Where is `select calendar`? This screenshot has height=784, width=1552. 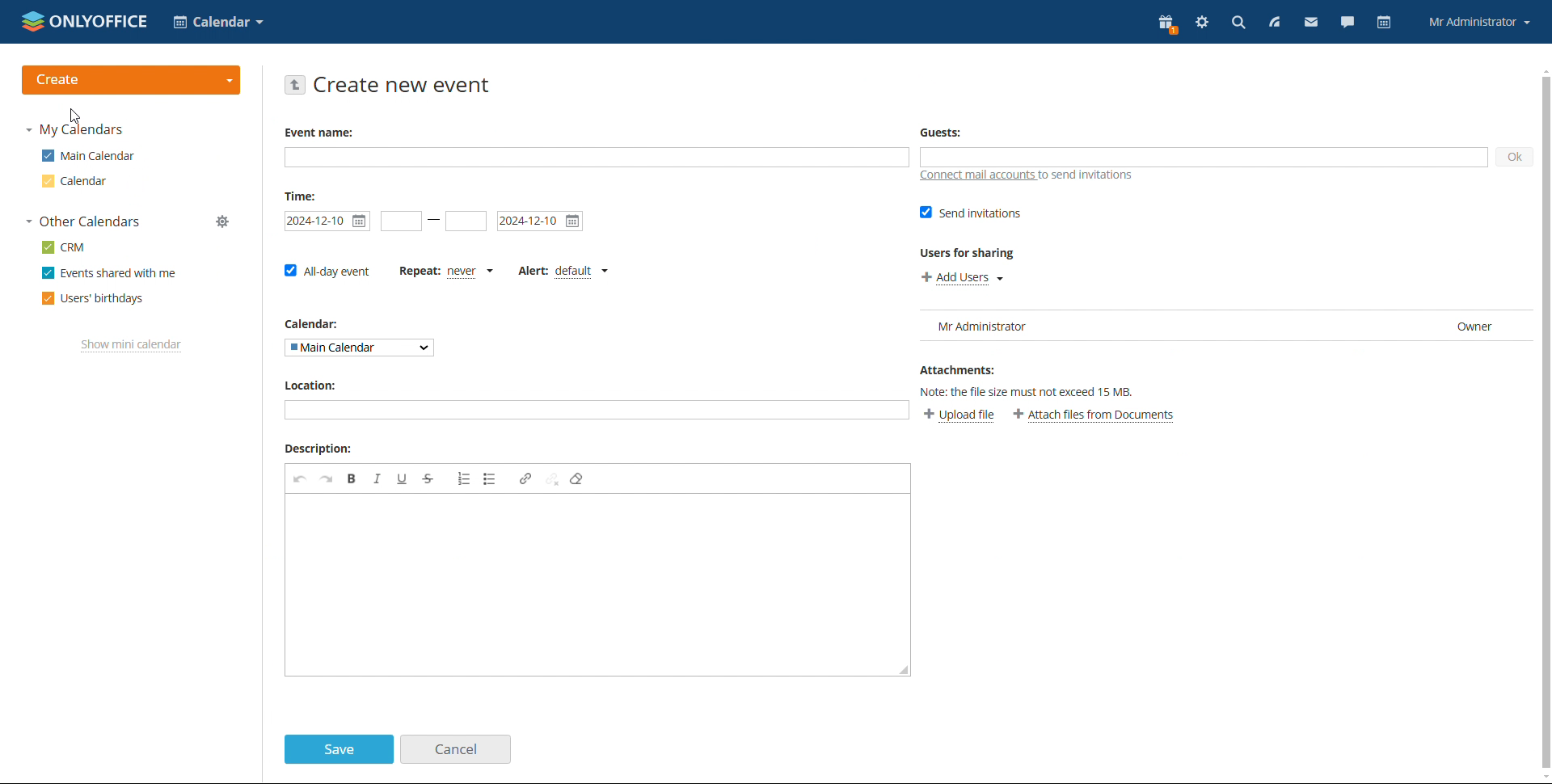 select calendar is located at coordinates (361, 348).